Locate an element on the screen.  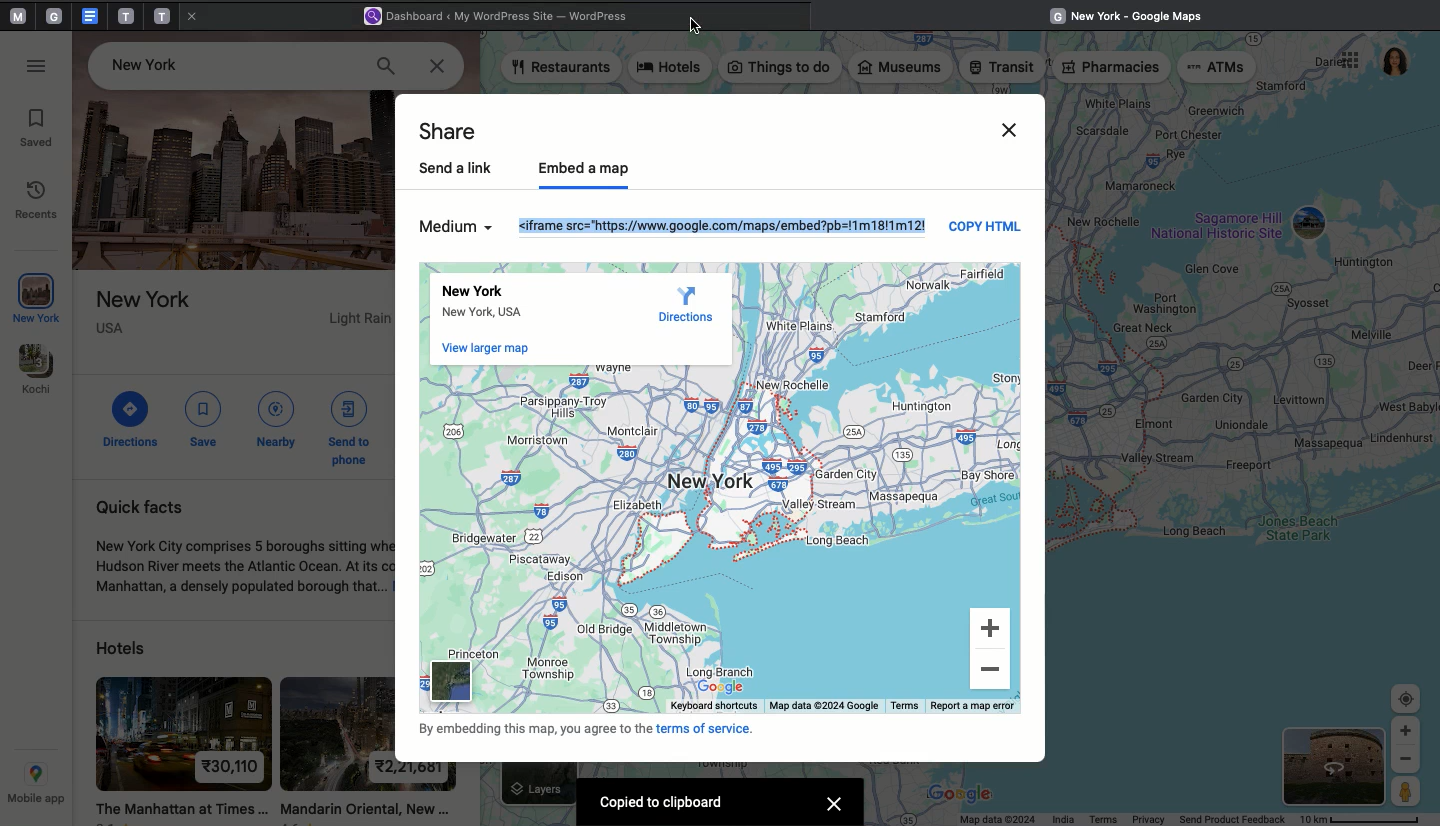
Transit is located at coordinates (1003, 68).